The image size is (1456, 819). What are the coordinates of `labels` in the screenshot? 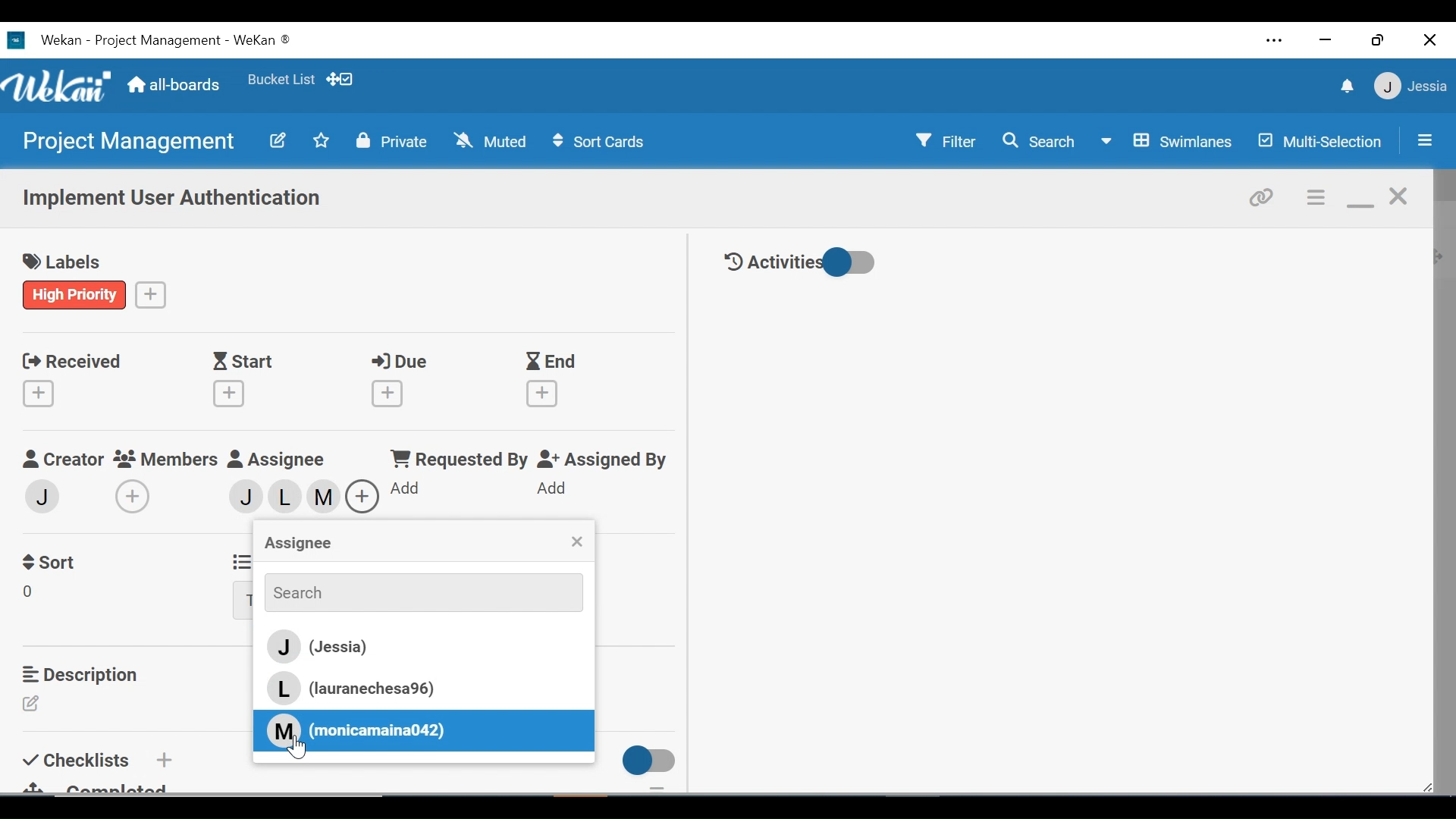 It's located at (67, 263).